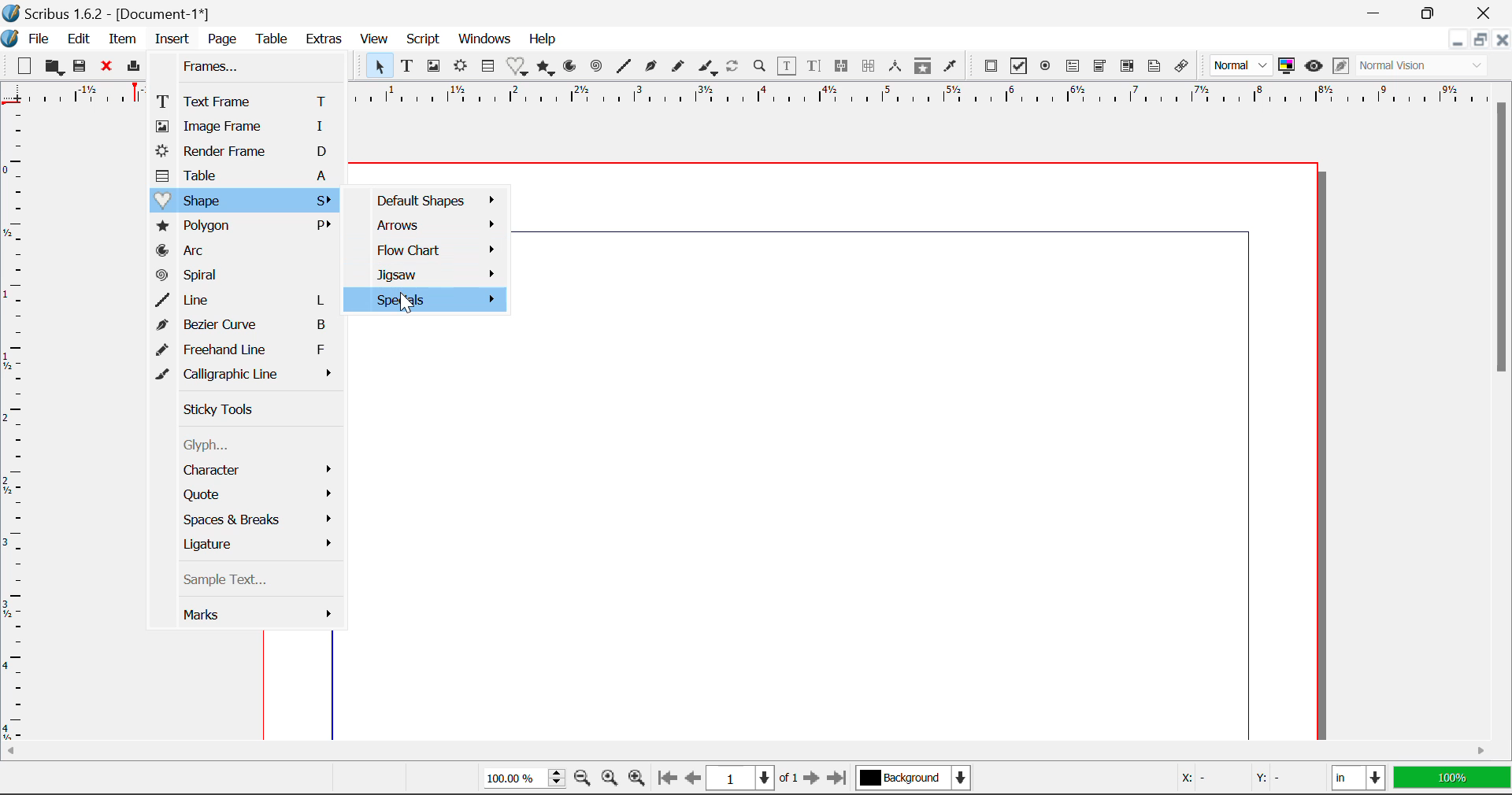 This screenshot has height=795, width=1512. I want to click on Windows, so click(485, 39).